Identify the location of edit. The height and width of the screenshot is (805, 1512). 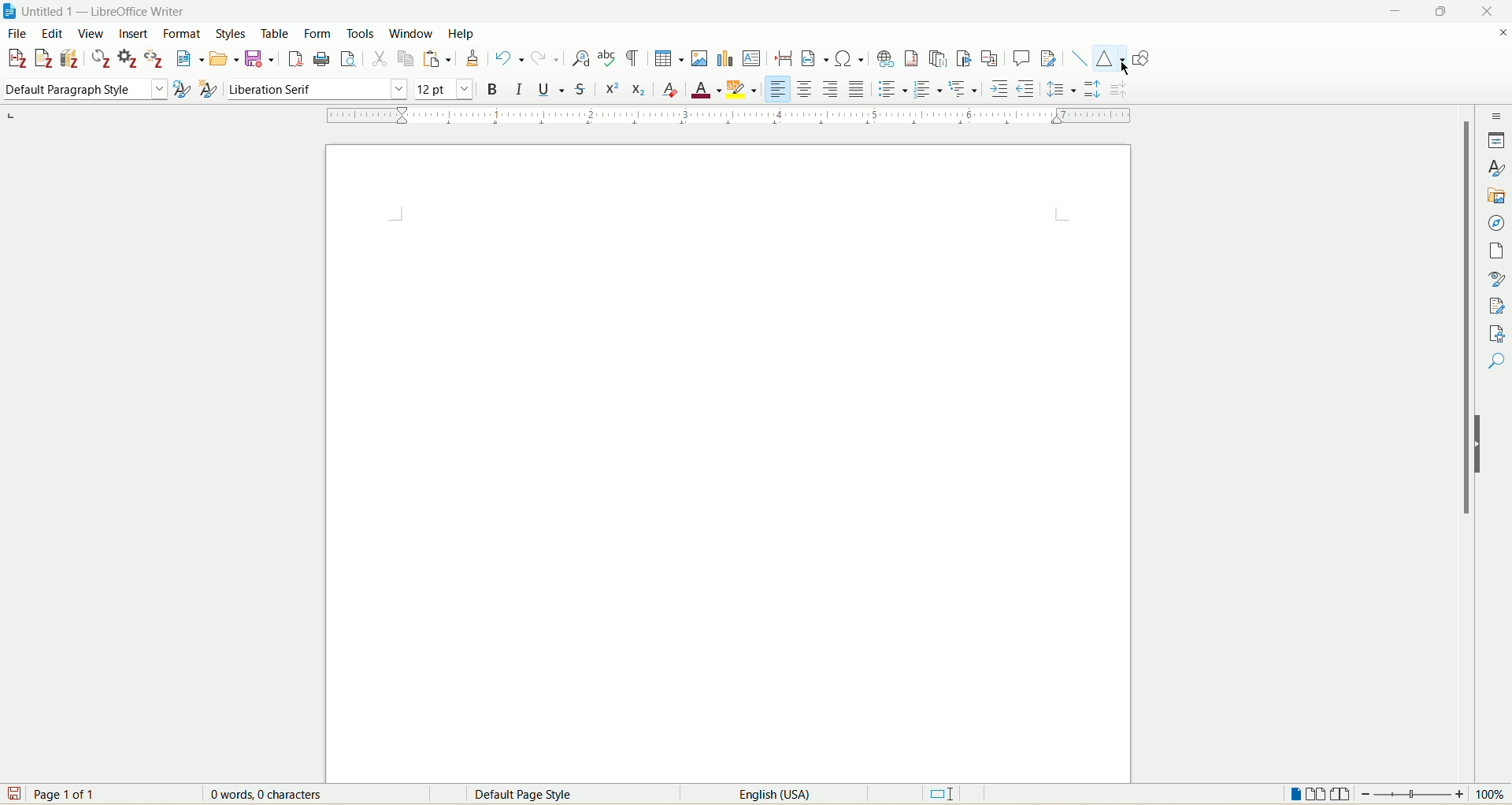
(50, 34).